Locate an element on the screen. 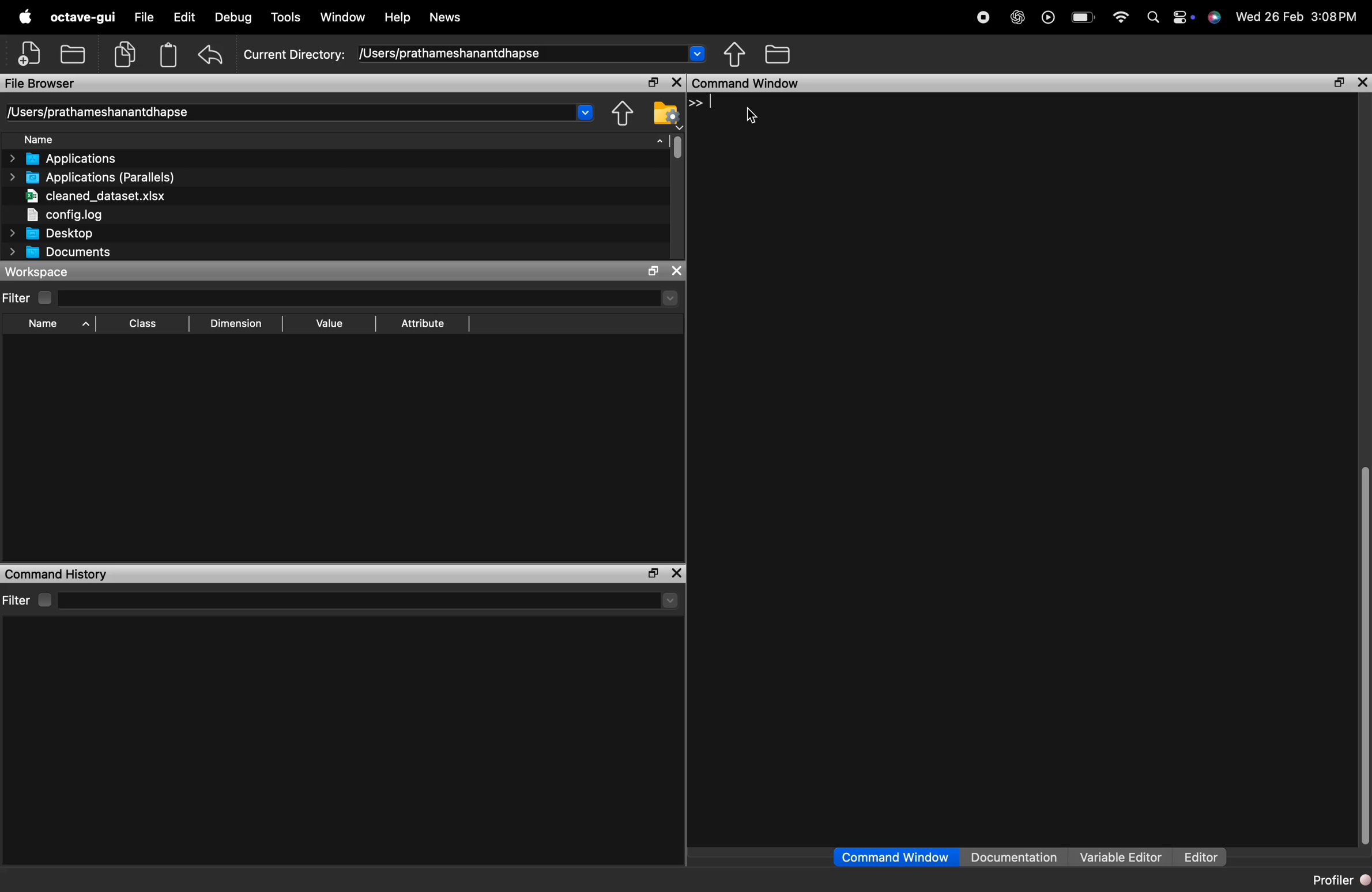 The image size is (1372, 892). Debug is located at coordinates (233, 18).